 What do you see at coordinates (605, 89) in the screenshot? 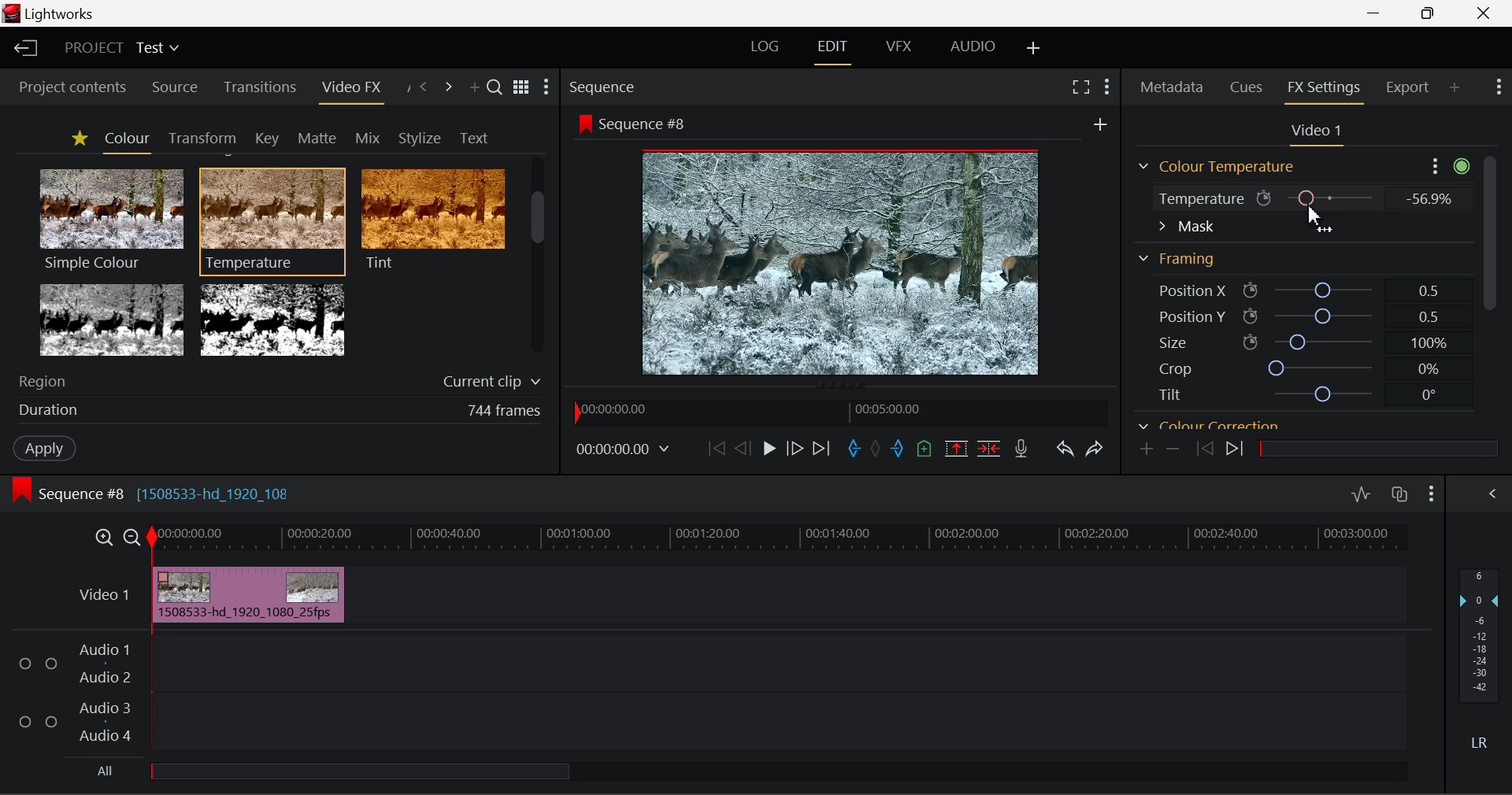
I see `Sequence Preview Section` at bounding box center [605, 89].